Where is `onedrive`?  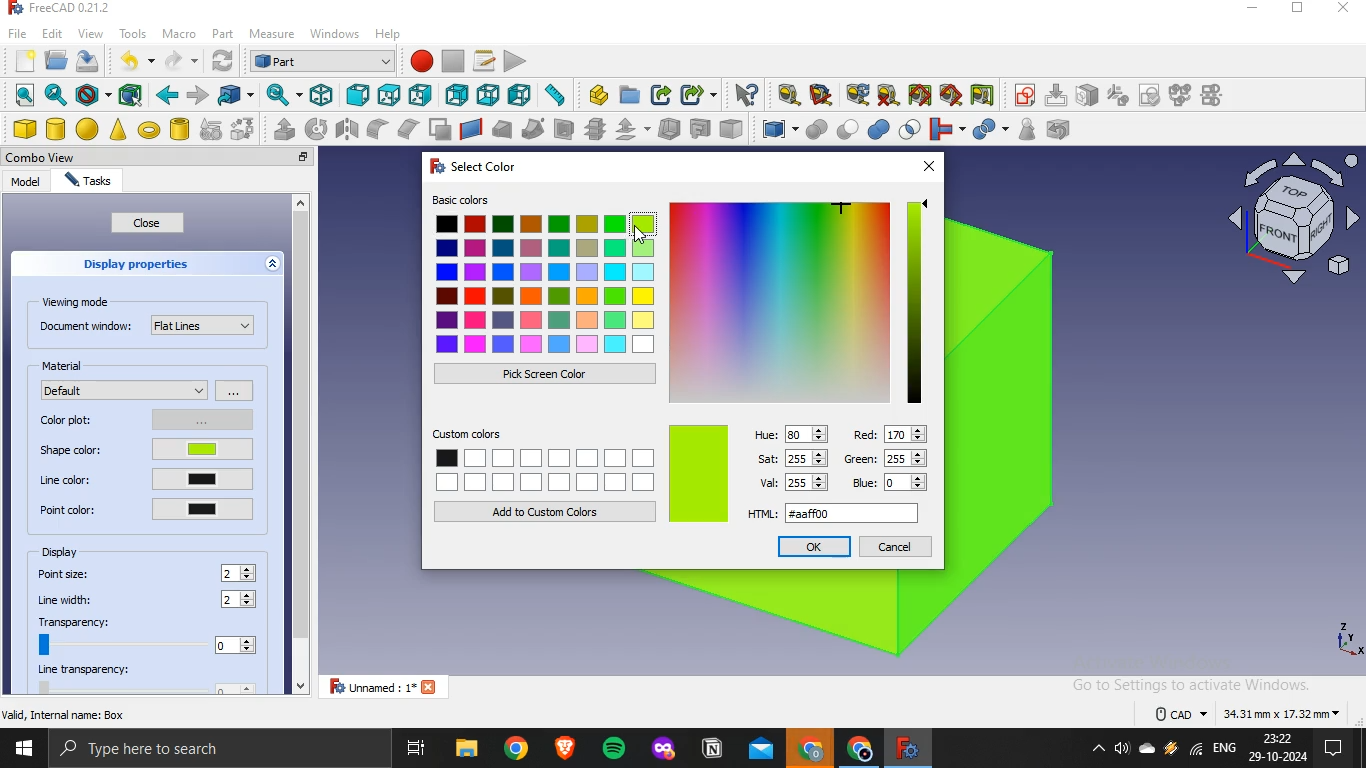
onedrive is located at coordinates (1147, 750).